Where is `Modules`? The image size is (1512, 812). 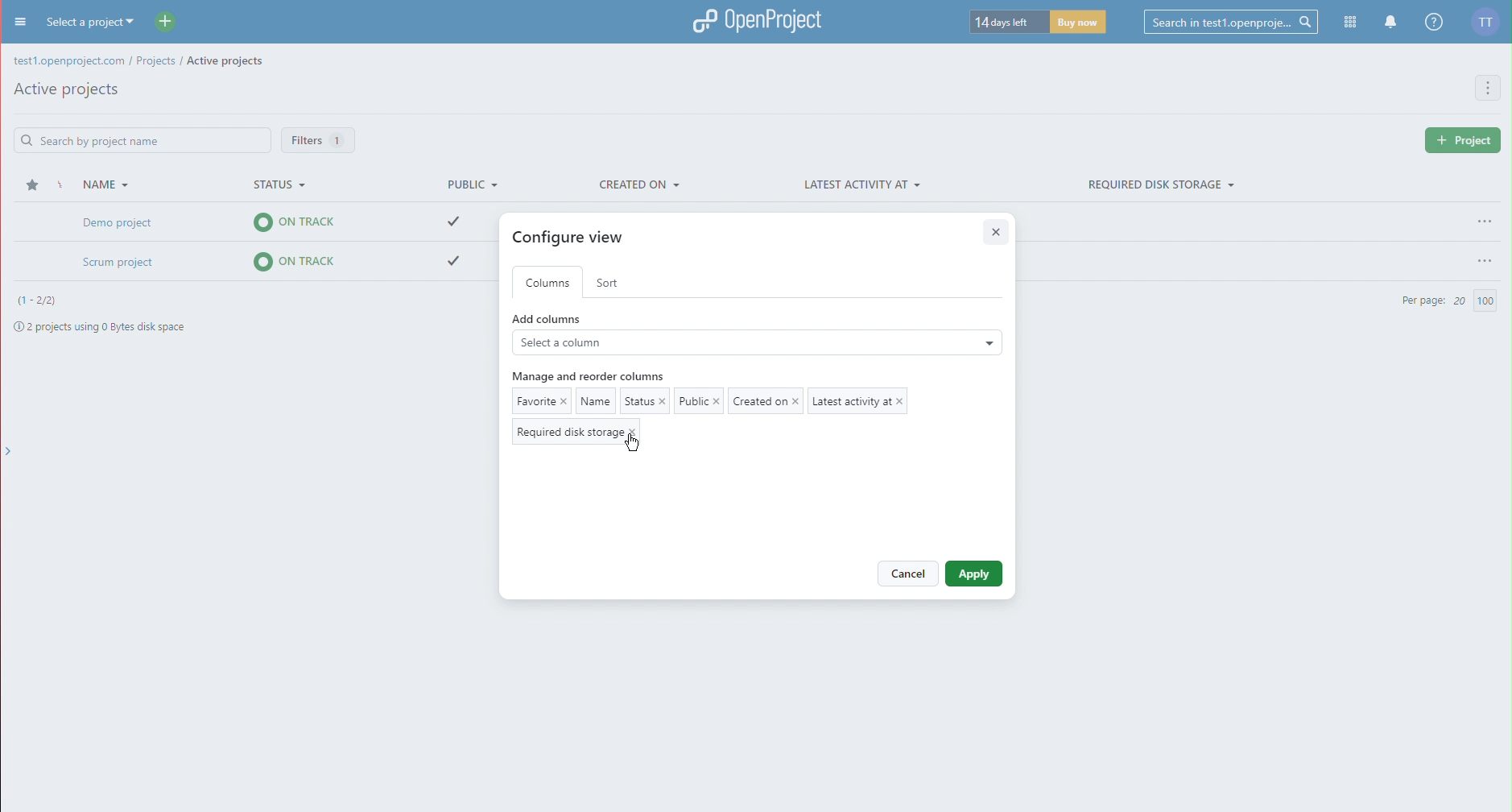
Modules is located at coordinates (1349, 21).